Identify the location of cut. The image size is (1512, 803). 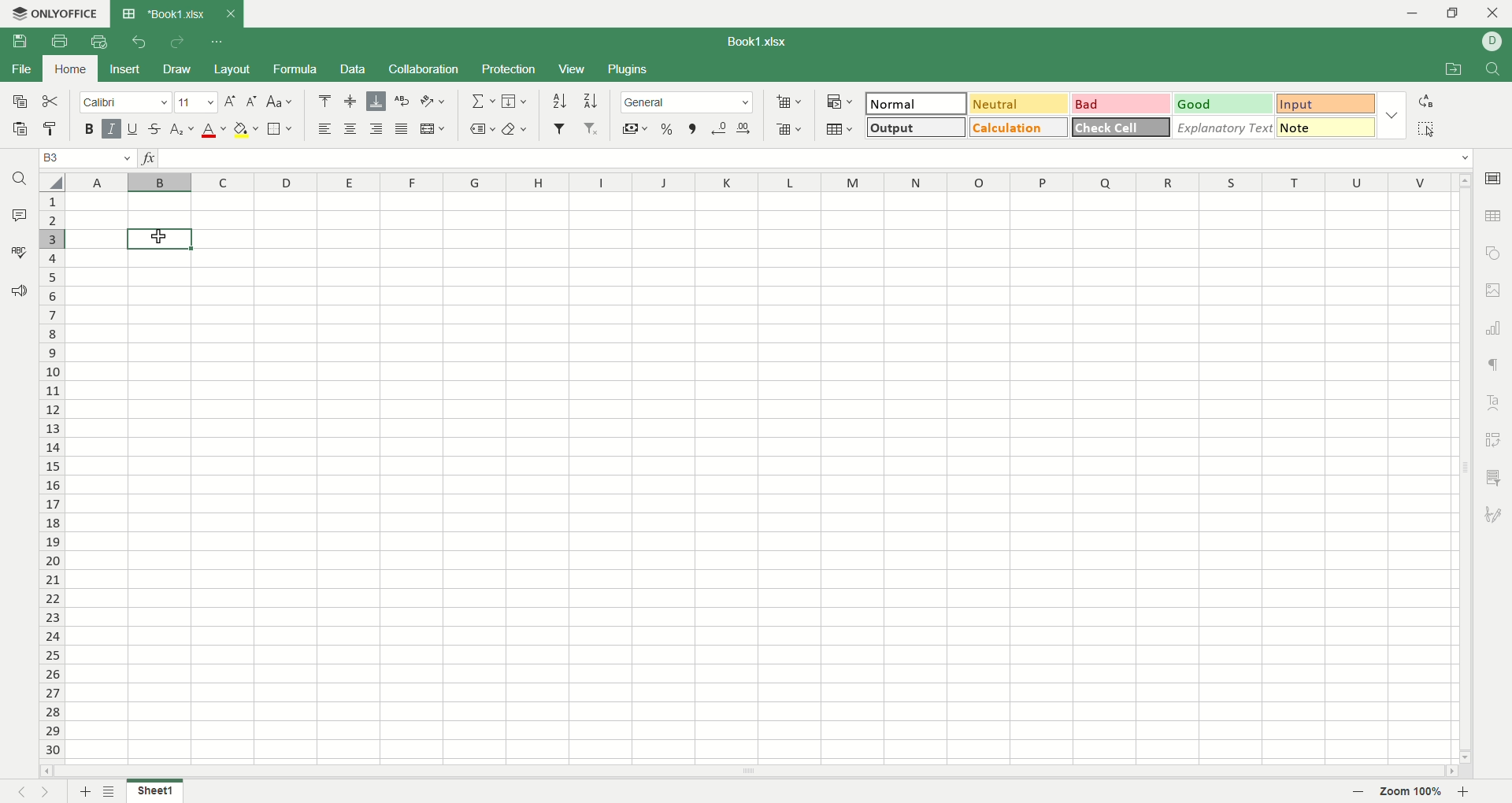
(50, 102).